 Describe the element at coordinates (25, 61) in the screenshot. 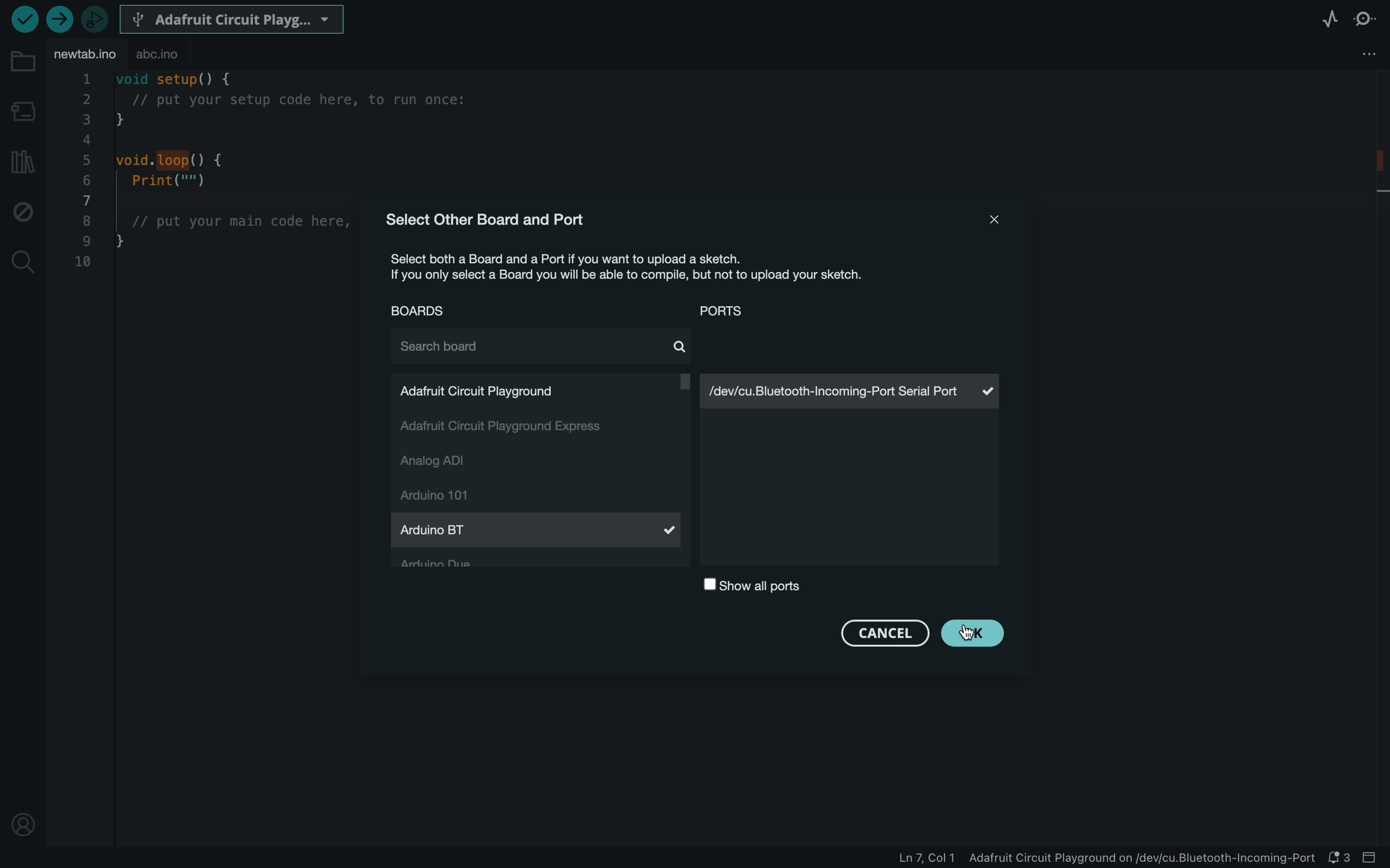

I see `folder` at that location.